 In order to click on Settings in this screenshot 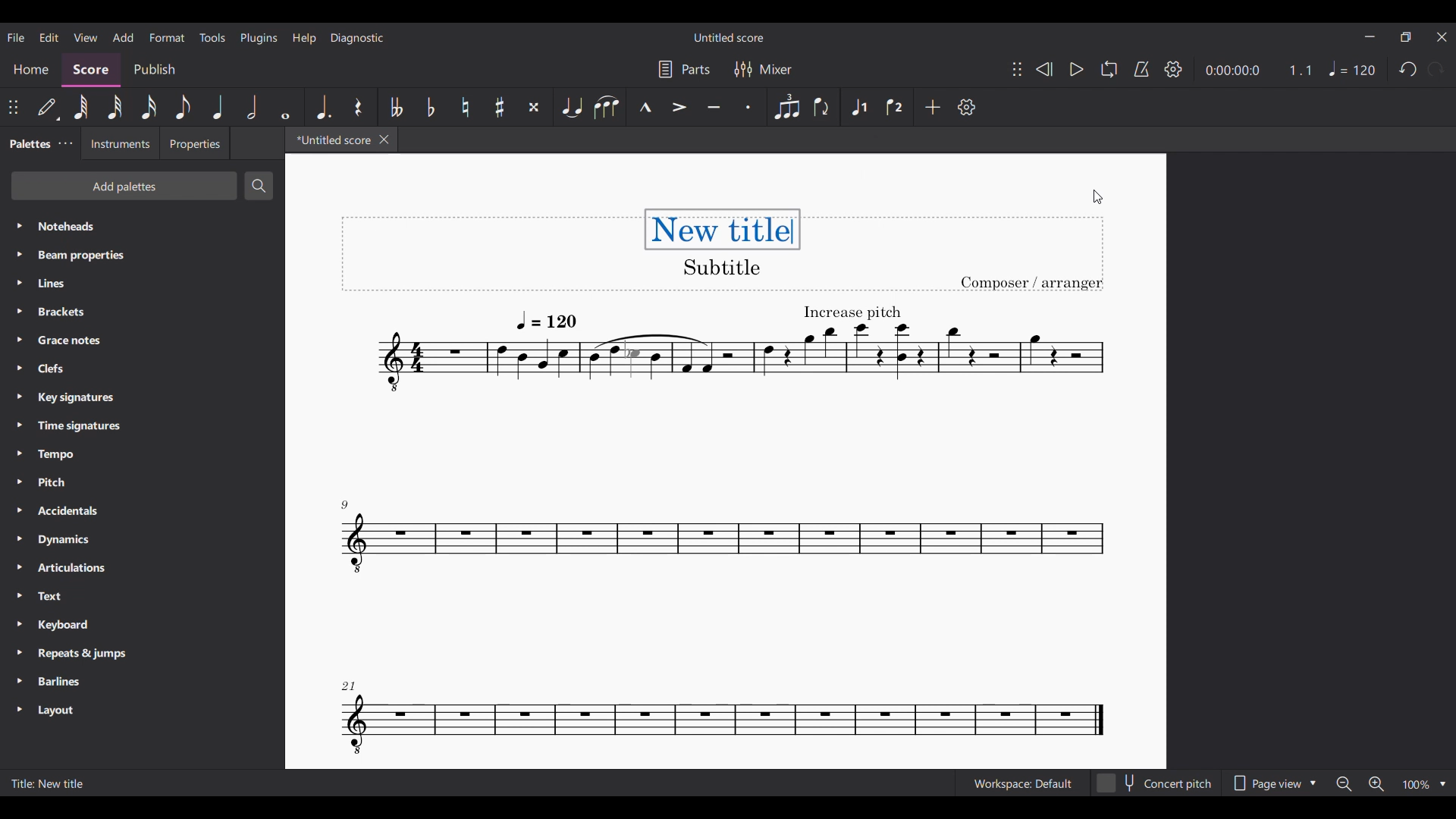, I will do `click(1173, 68)`.